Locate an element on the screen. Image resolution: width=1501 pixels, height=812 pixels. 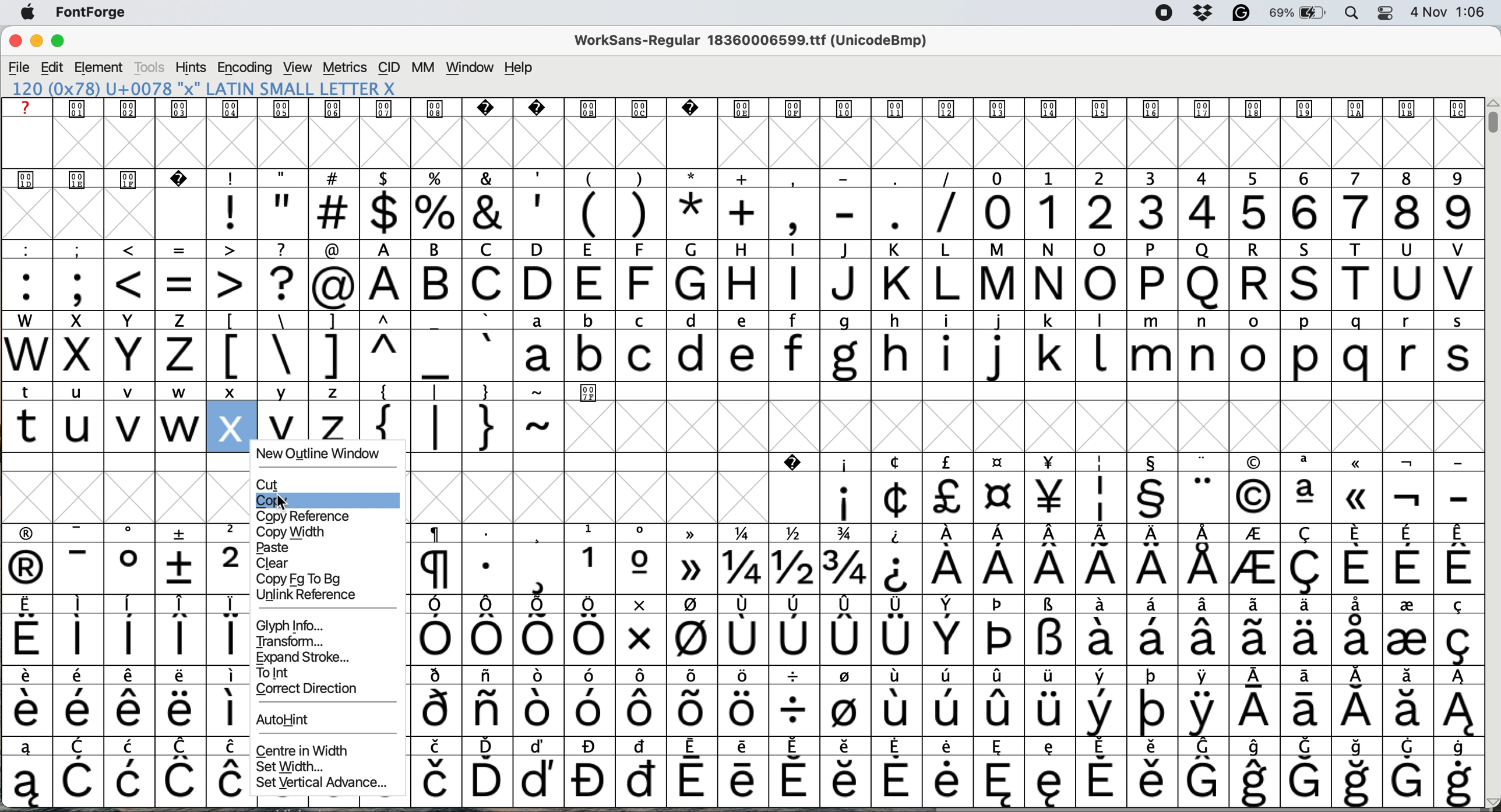
grammarly is located at coordinates (1239, 13).